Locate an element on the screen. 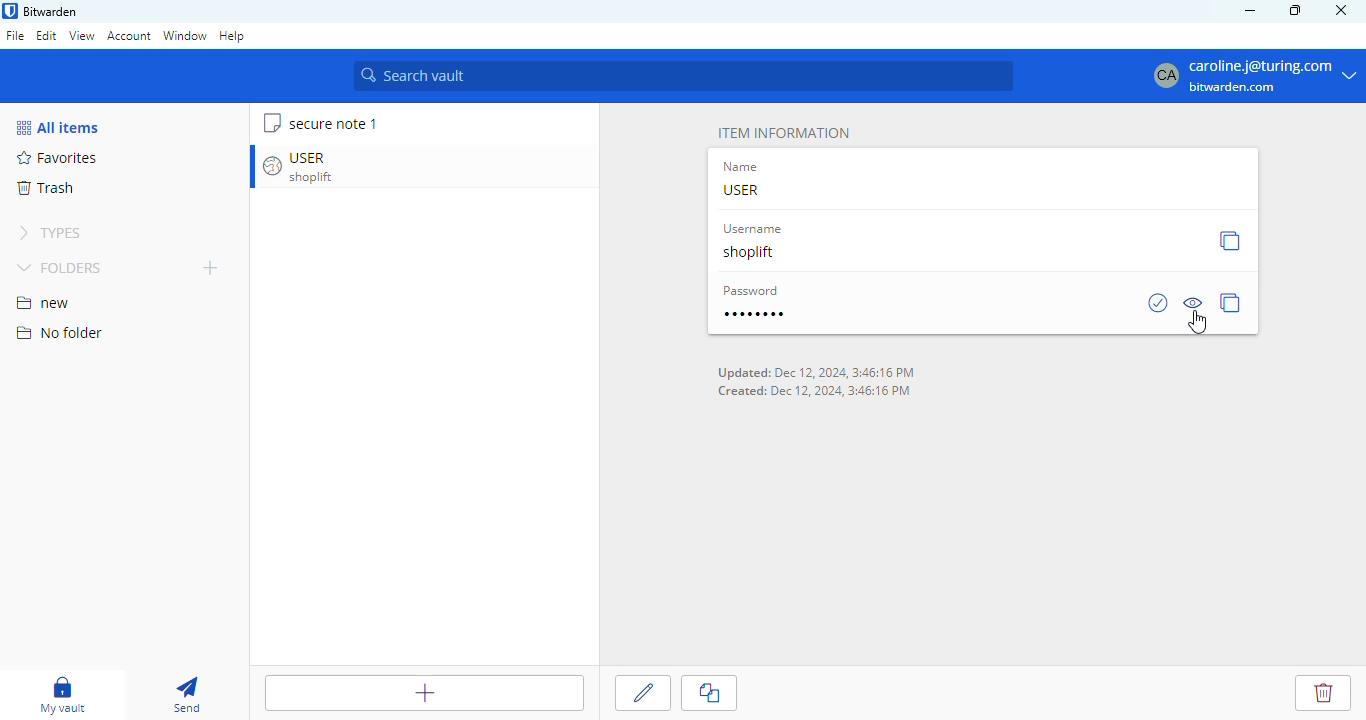  add item is located at coordinates (423, 691).